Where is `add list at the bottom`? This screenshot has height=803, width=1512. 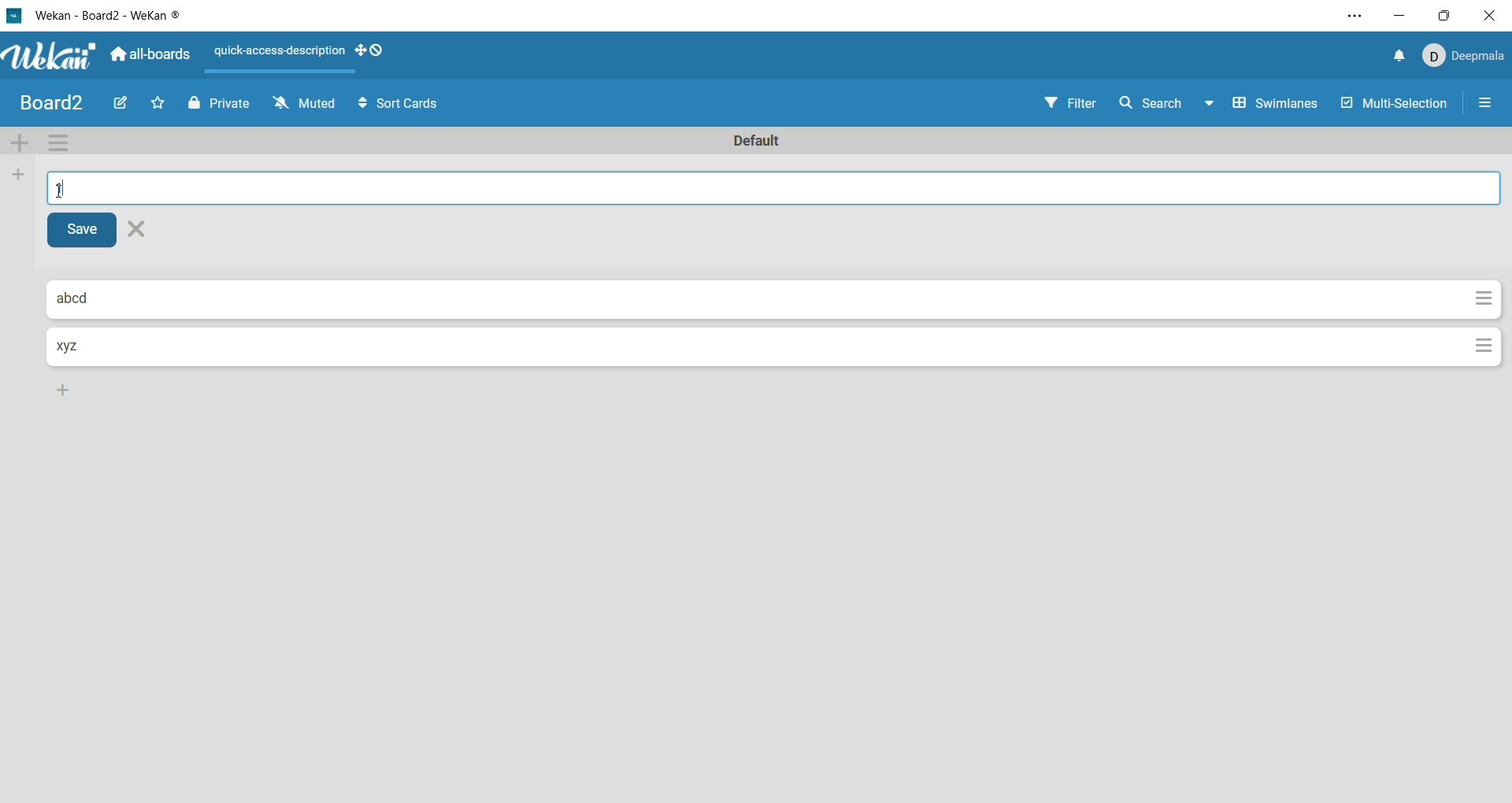
add list at the bottom is located at coordinates (65, 390).